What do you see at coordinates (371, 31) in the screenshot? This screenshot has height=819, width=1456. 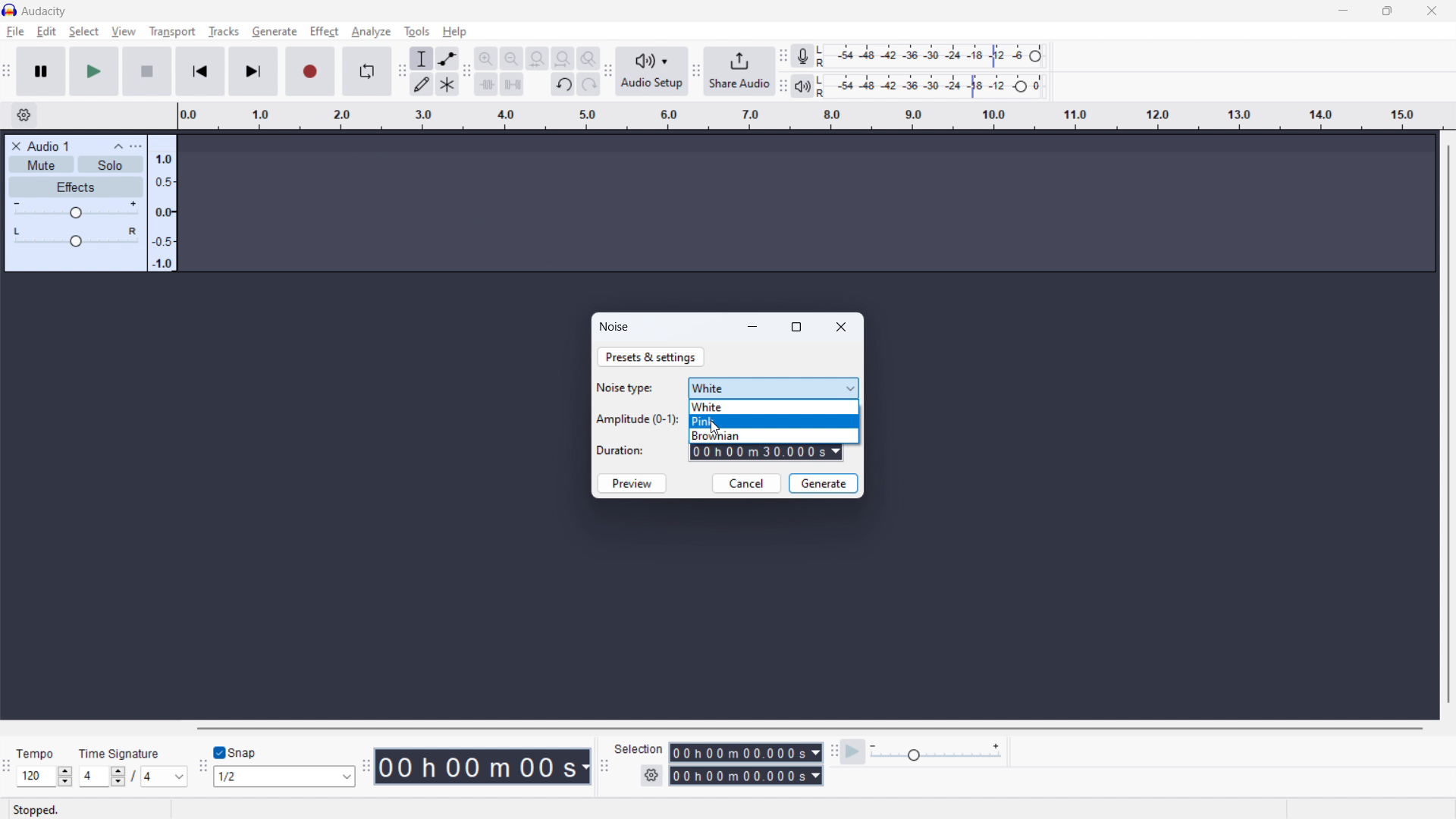 I see `analyze` at bounding box center [371, 31].